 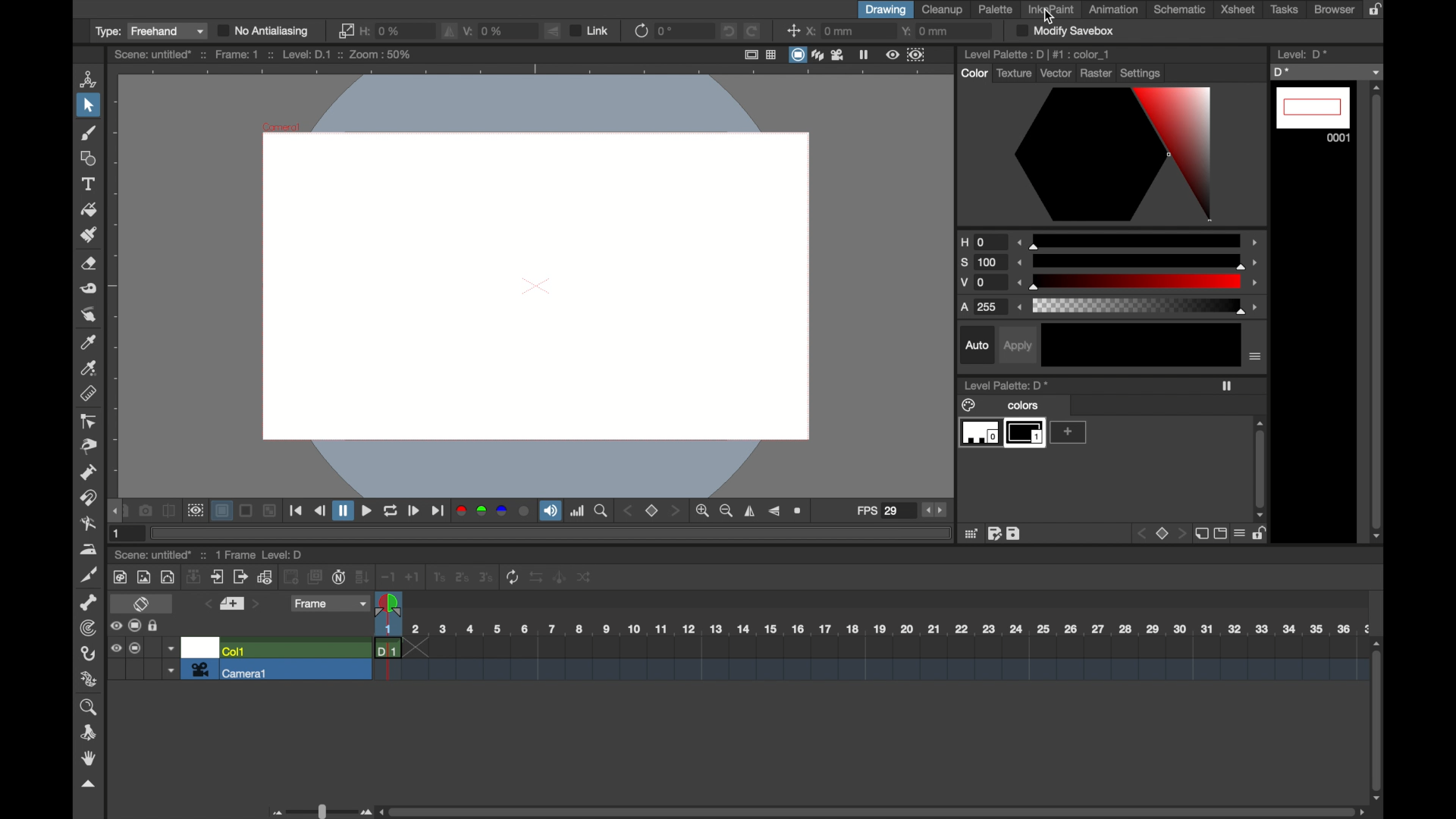 I want to click on V: 0, so click(x=983, y=284).